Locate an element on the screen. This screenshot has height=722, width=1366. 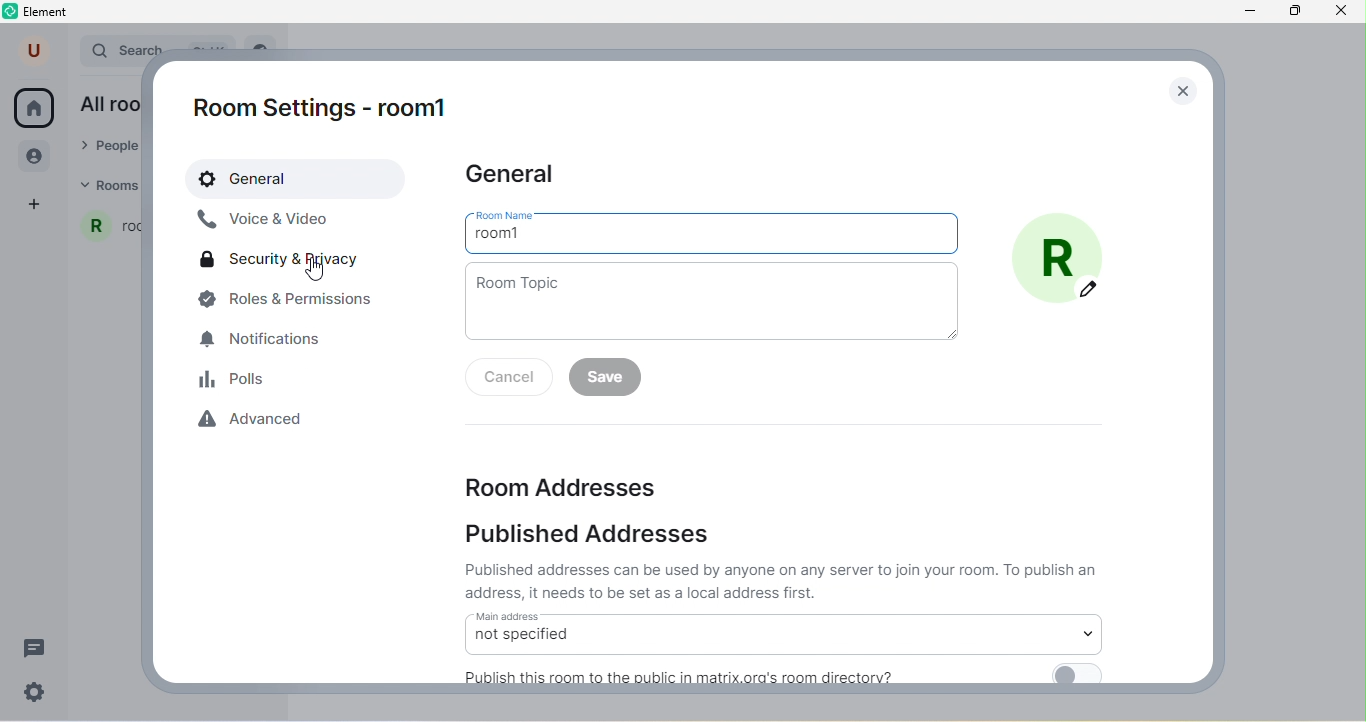
room topic is located at coordinates (536, 283).